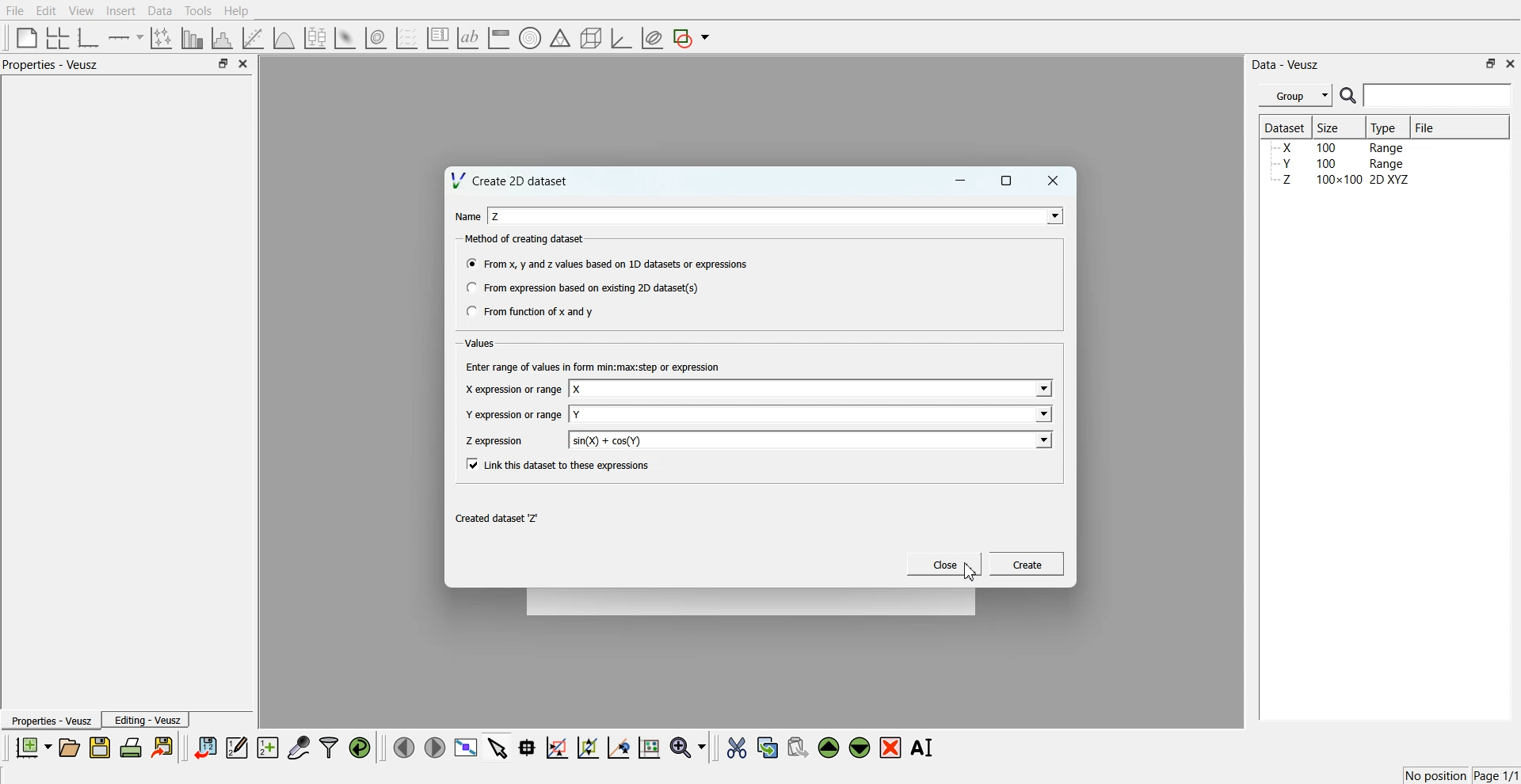 The width and height of the screenshot is (1521, 784). I want to click on Polar Graph, so click(530, 38).